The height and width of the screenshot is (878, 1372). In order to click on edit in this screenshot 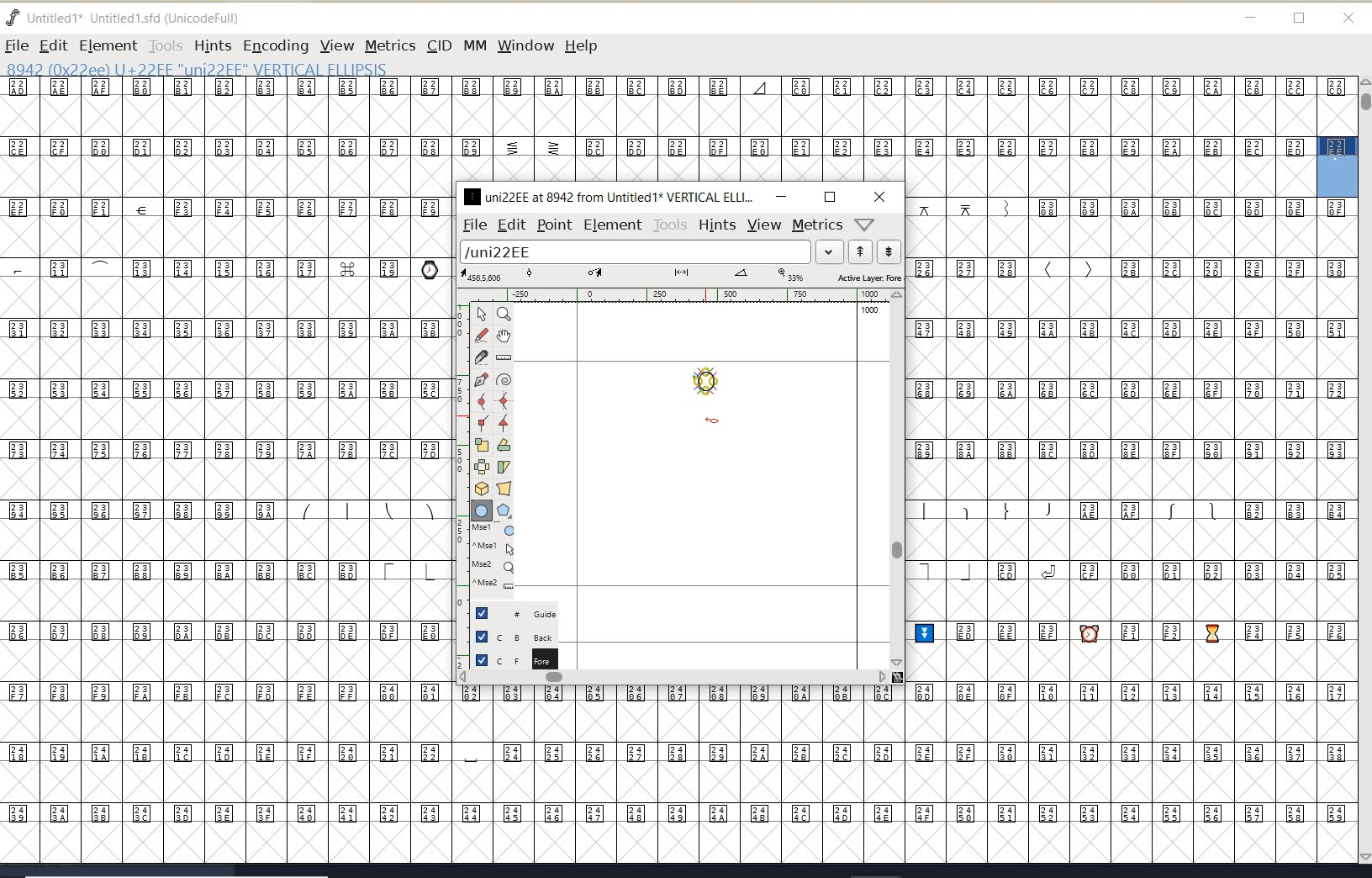, I will do `click(510, 224)`.